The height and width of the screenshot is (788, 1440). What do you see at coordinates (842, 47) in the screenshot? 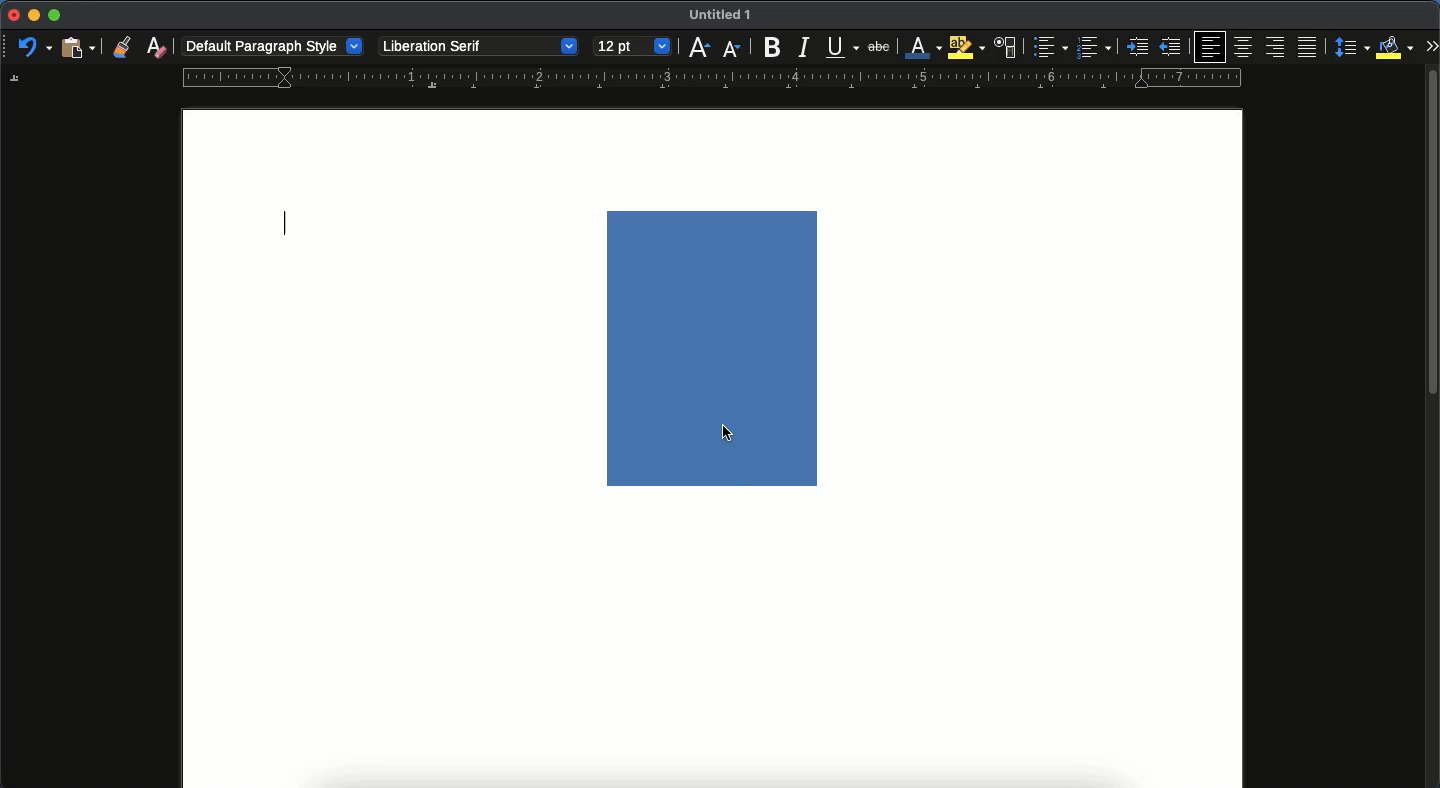
I see `underline` at bounding box center [842, 47].